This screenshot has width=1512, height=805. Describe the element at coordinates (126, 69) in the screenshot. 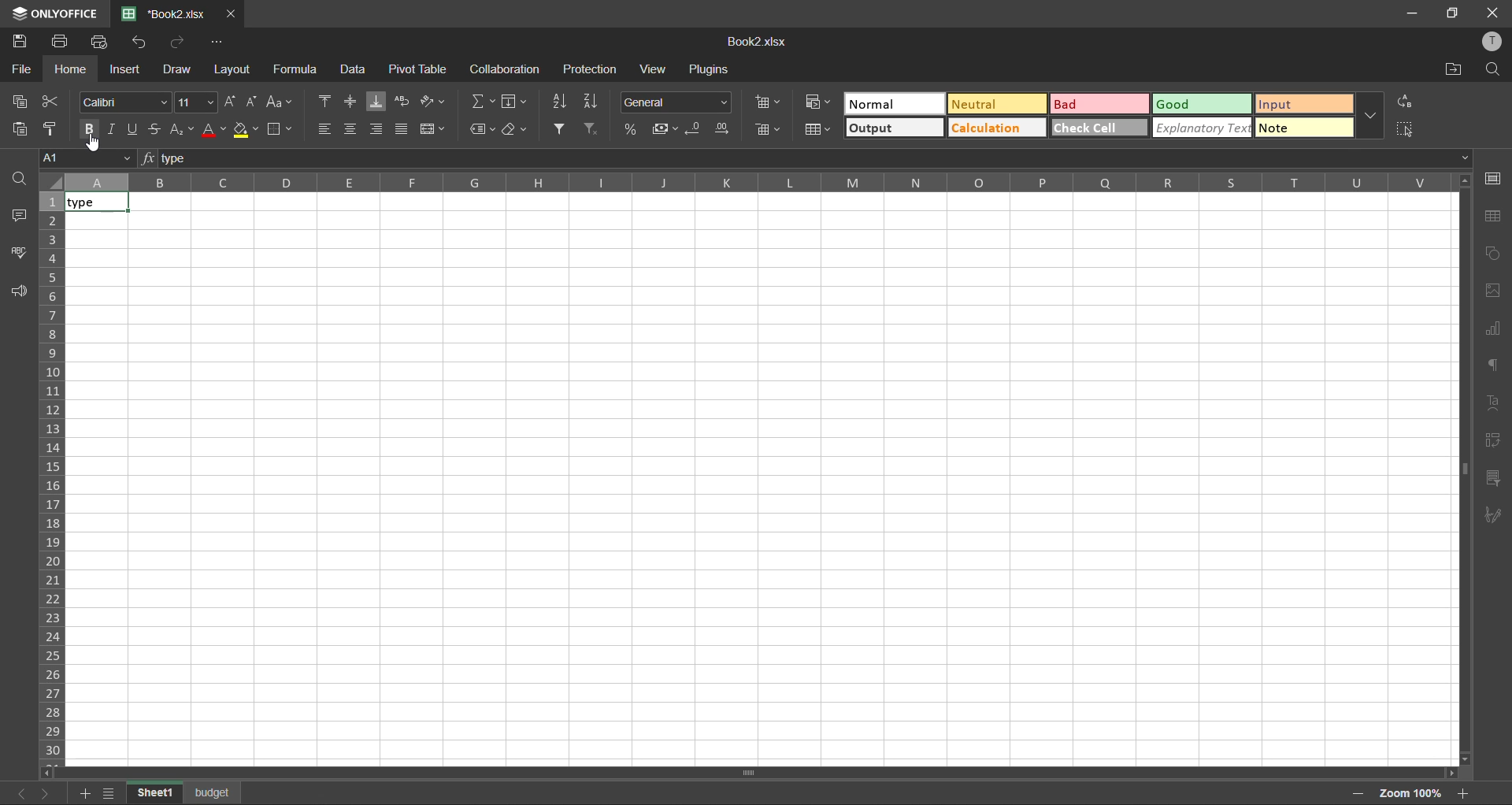

I see `insert` at that location.